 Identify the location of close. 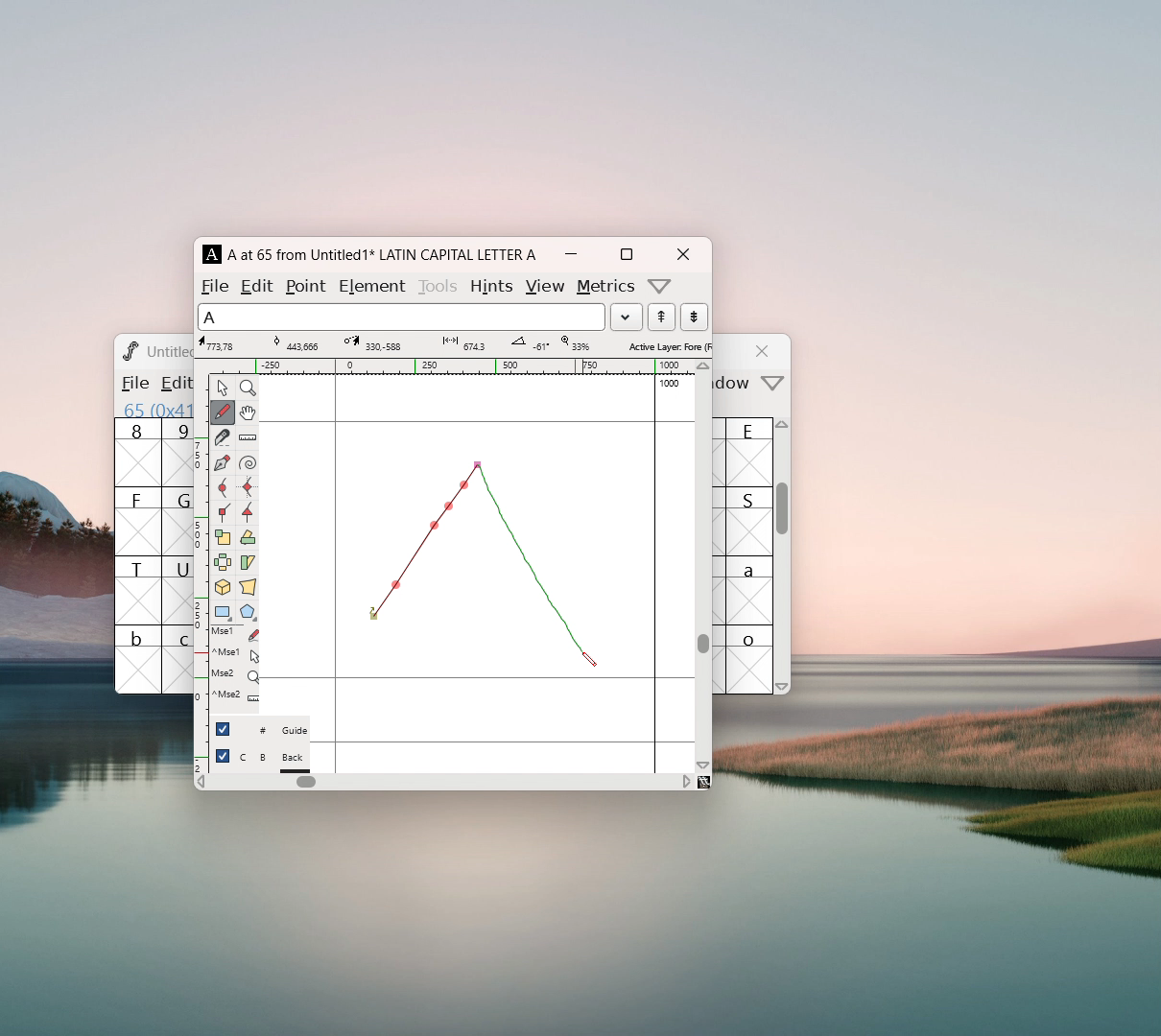
(682, 254).